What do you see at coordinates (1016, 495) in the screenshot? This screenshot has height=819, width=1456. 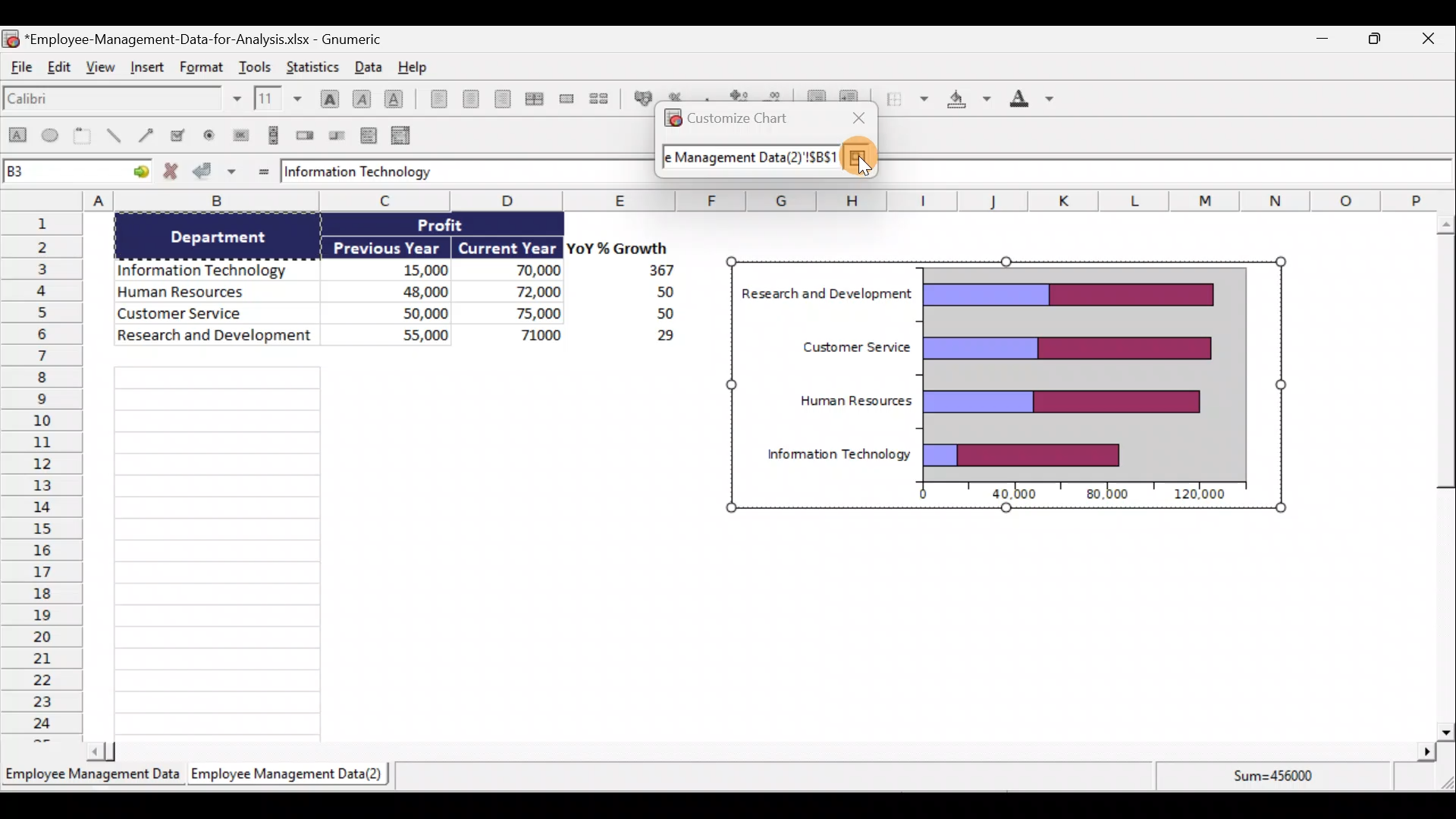 I see `40.000` at bounding box center [1016, 495].